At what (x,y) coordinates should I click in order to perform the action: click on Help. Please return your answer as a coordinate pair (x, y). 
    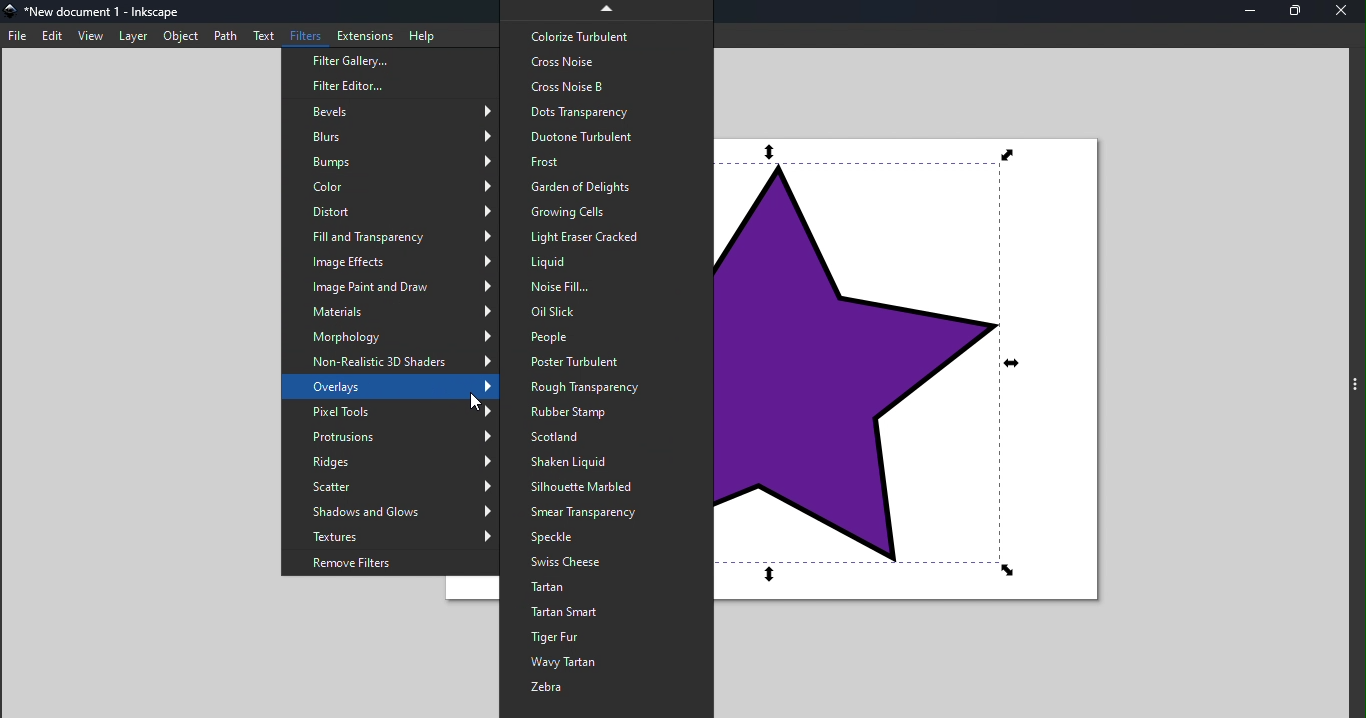
    Looking at the image, I should click on (425, 35).